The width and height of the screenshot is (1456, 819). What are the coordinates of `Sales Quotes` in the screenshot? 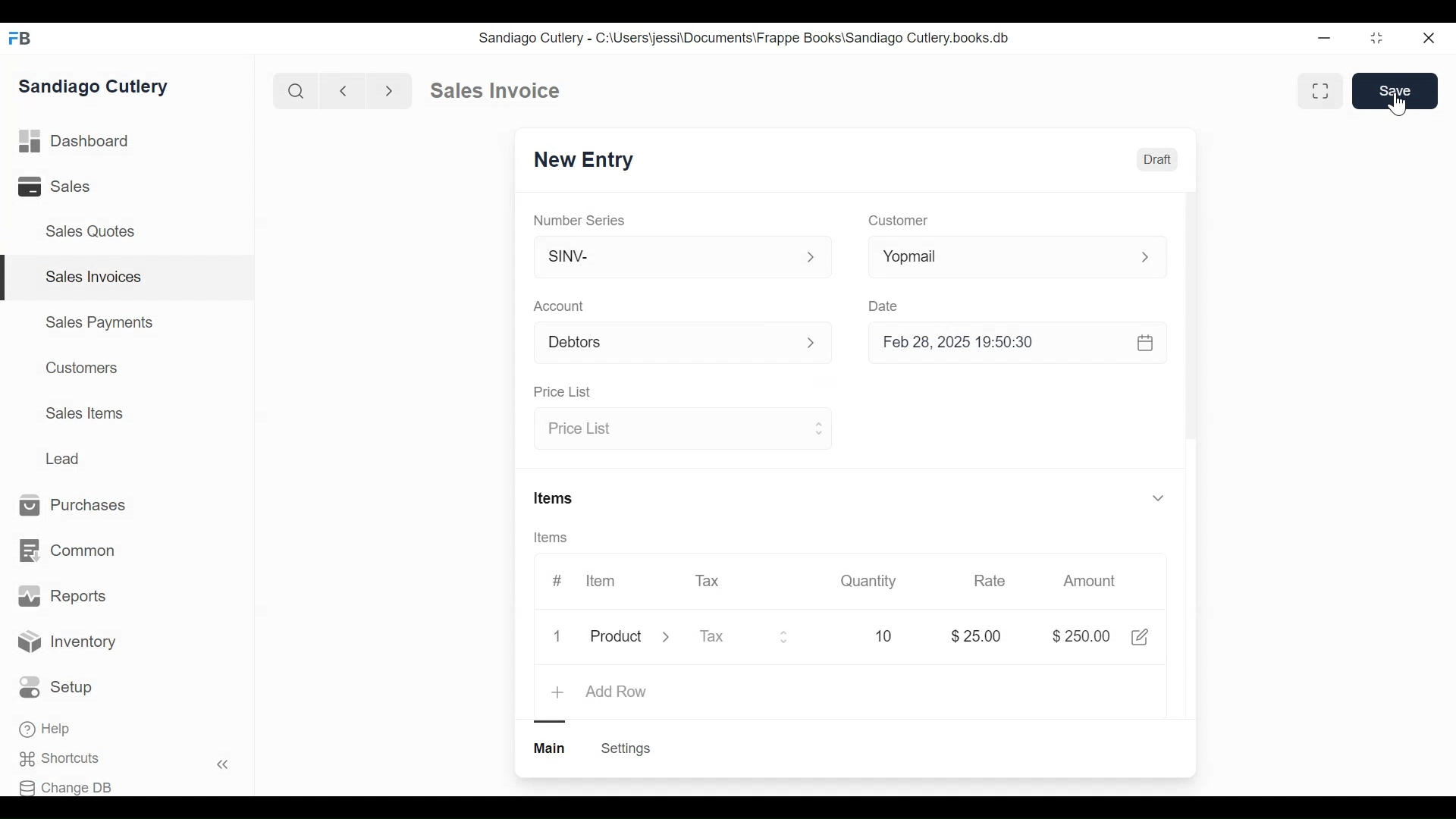 It's located at (96, 232).